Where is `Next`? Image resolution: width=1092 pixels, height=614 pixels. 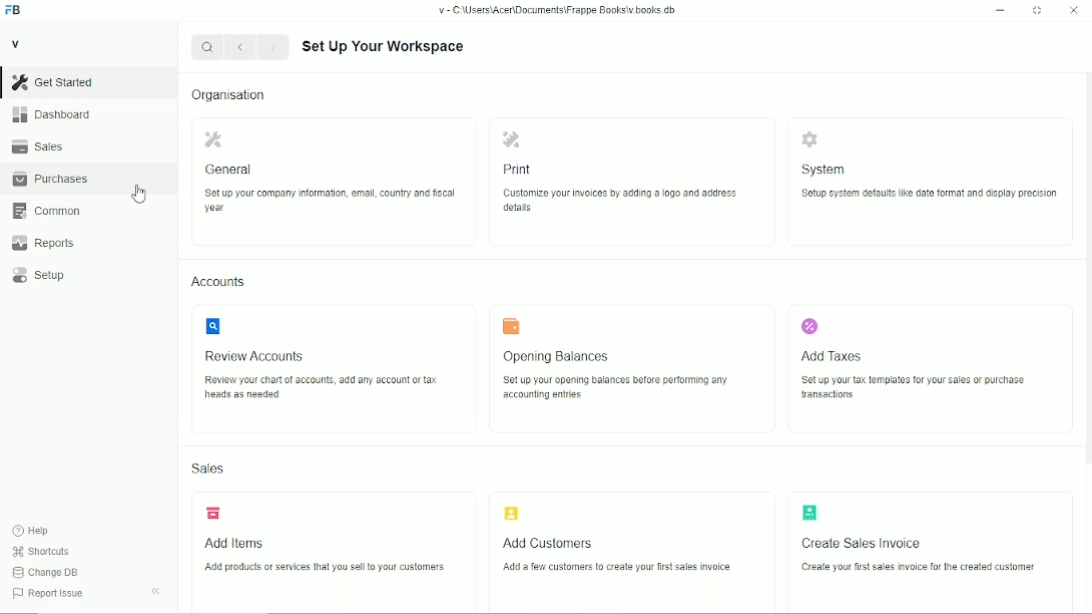 Next is located at coordinates (273, 46).